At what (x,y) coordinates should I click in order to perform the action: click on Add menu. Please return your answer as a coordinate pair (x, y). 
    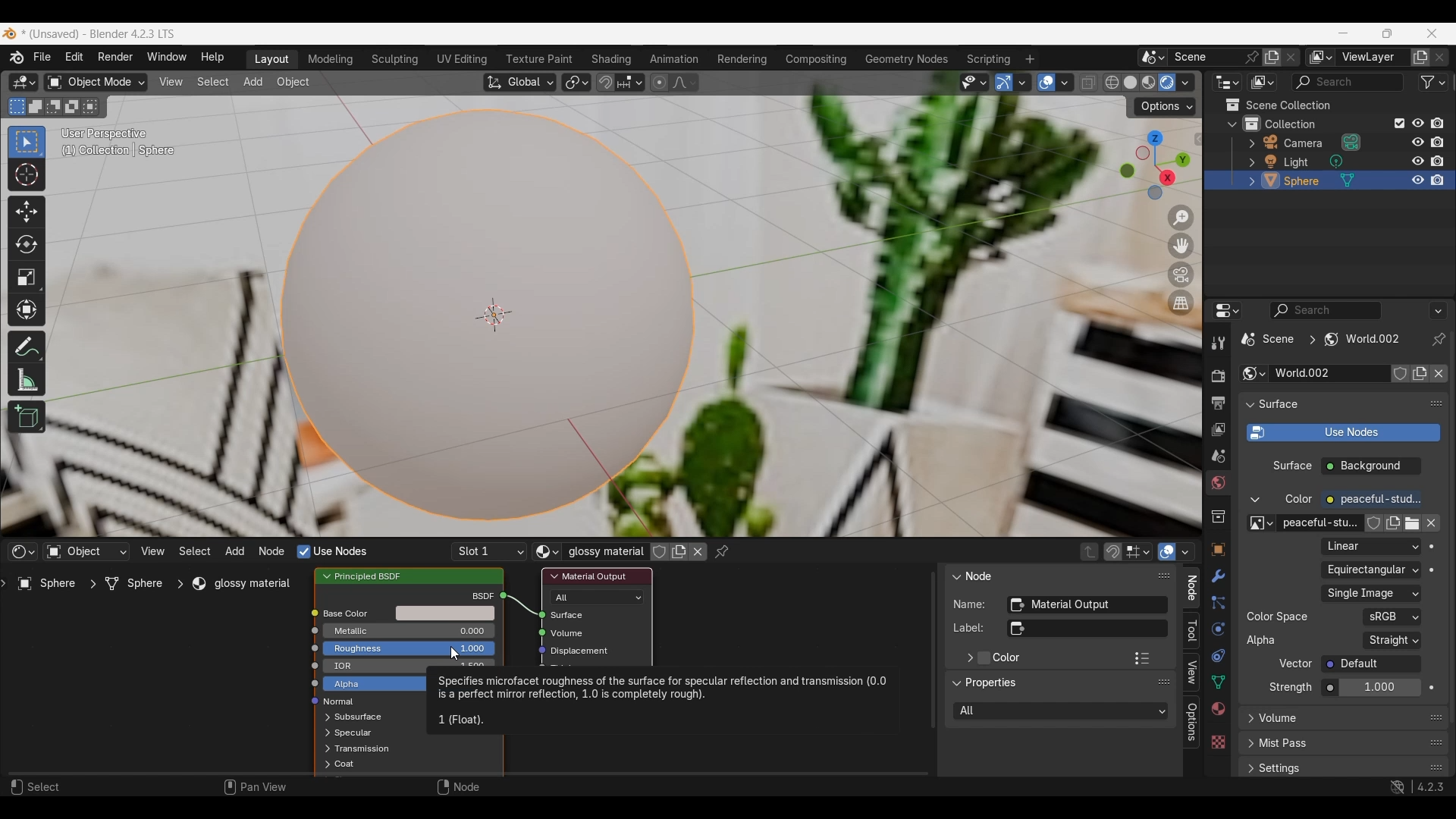
    Looking at the image, I should click on (254, 83).